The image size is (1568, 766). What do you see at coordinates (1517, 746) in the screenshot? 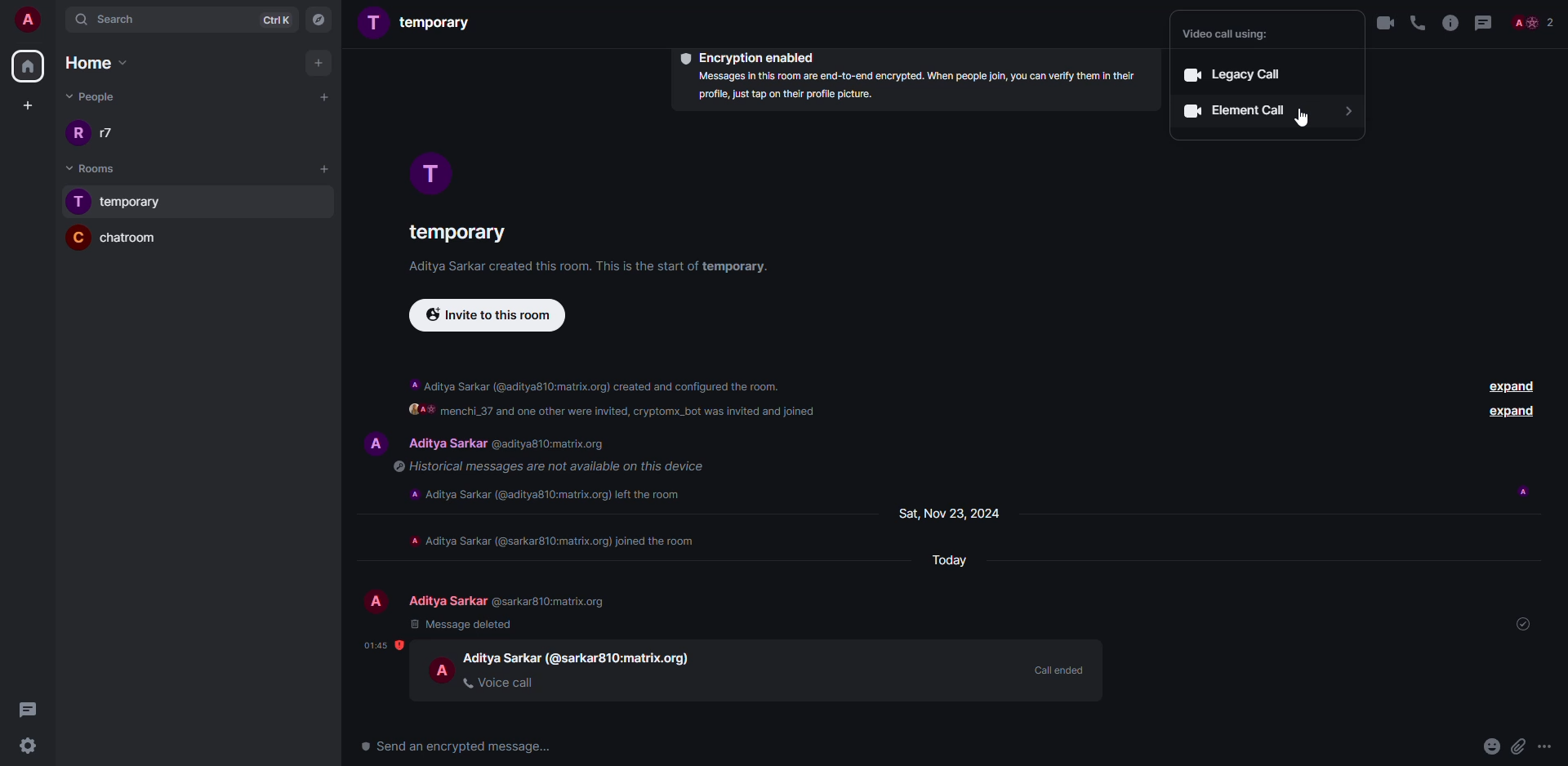
I see `attach` at bounding box center [1517, 746].